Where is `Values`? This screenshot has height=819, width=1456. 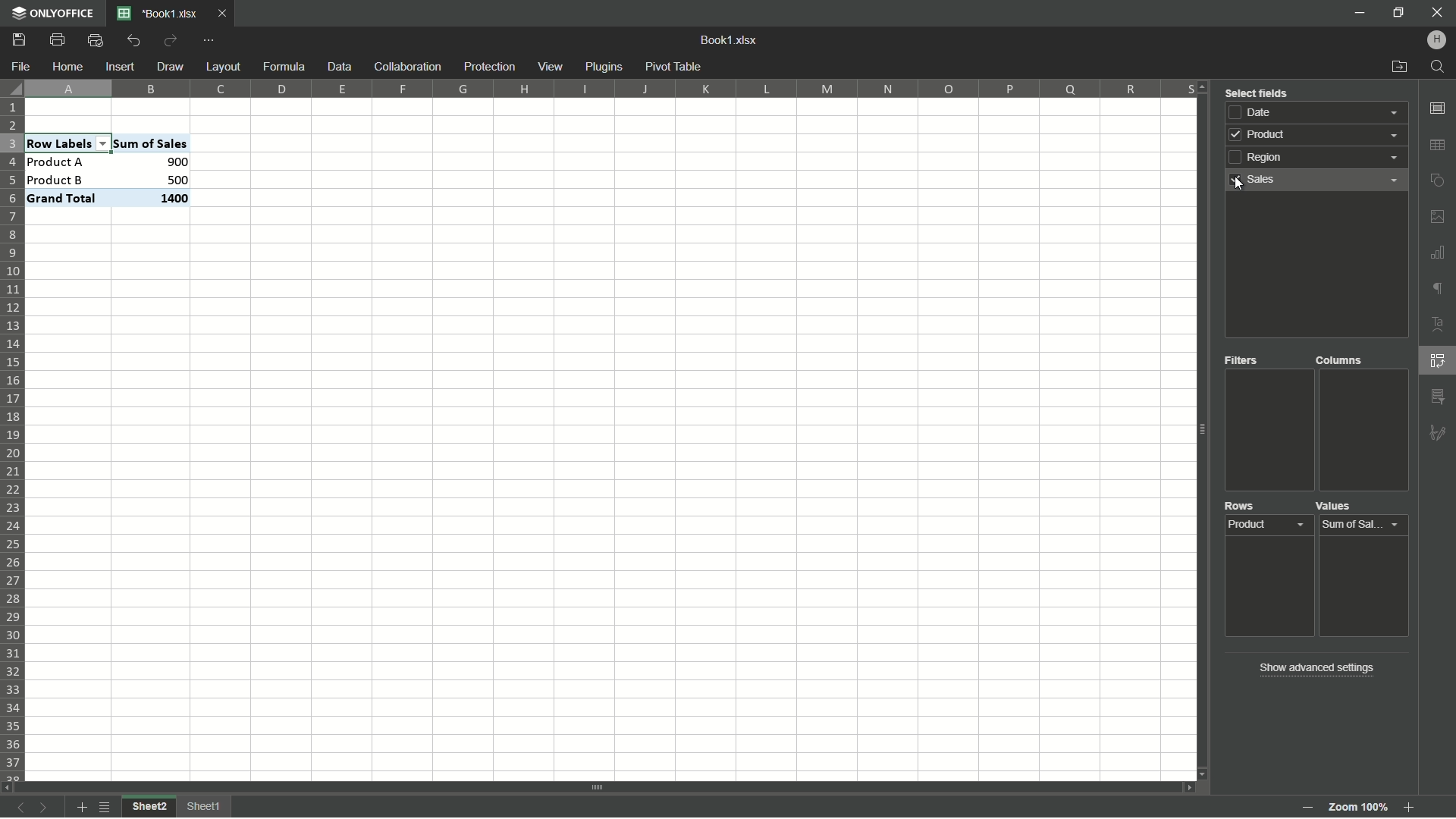
Values is located at coordinates (1339, 507).